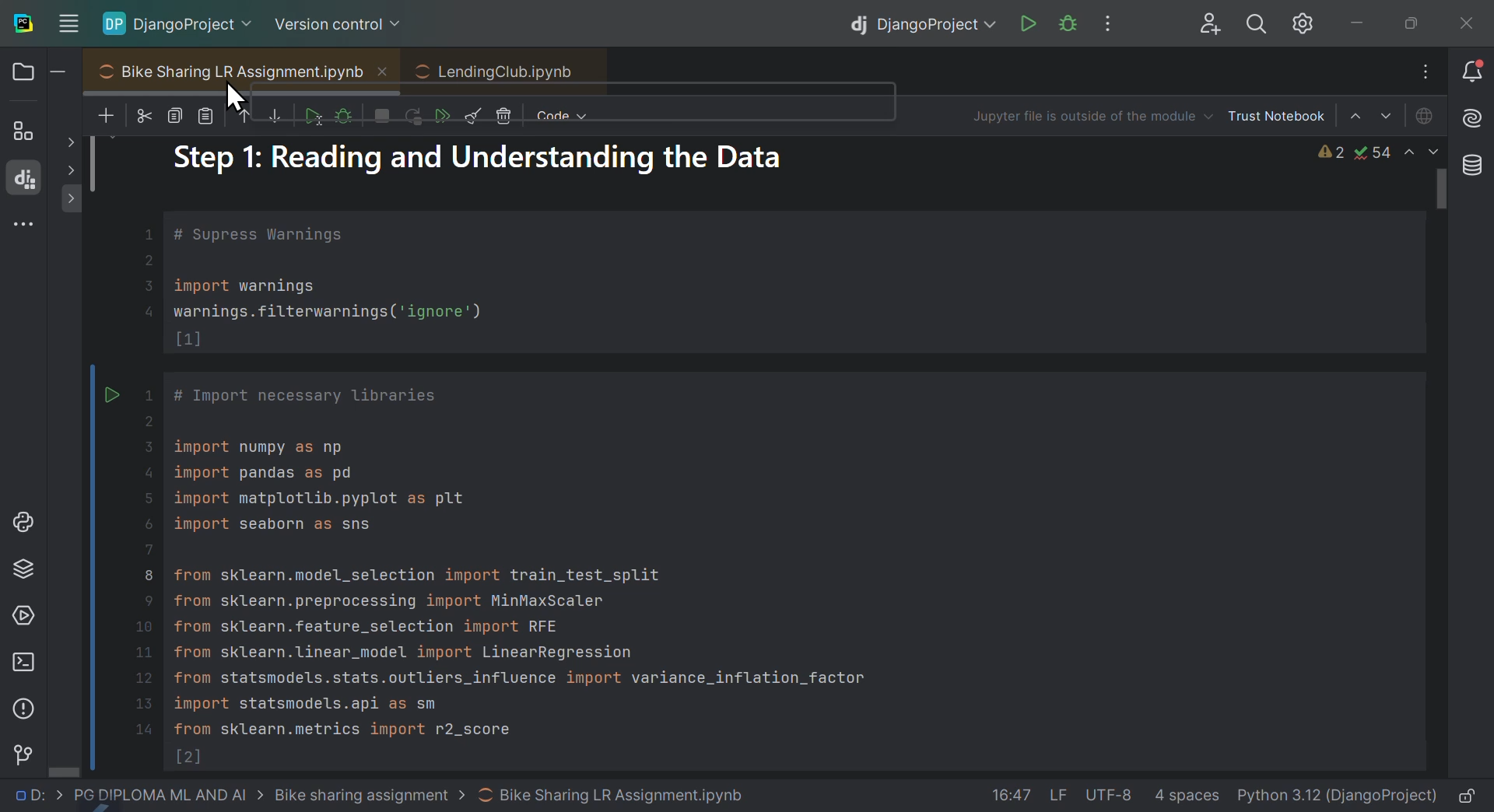  Describe the element at coordinates (23, 707) in the screenshot. I see `Problems` at that location.